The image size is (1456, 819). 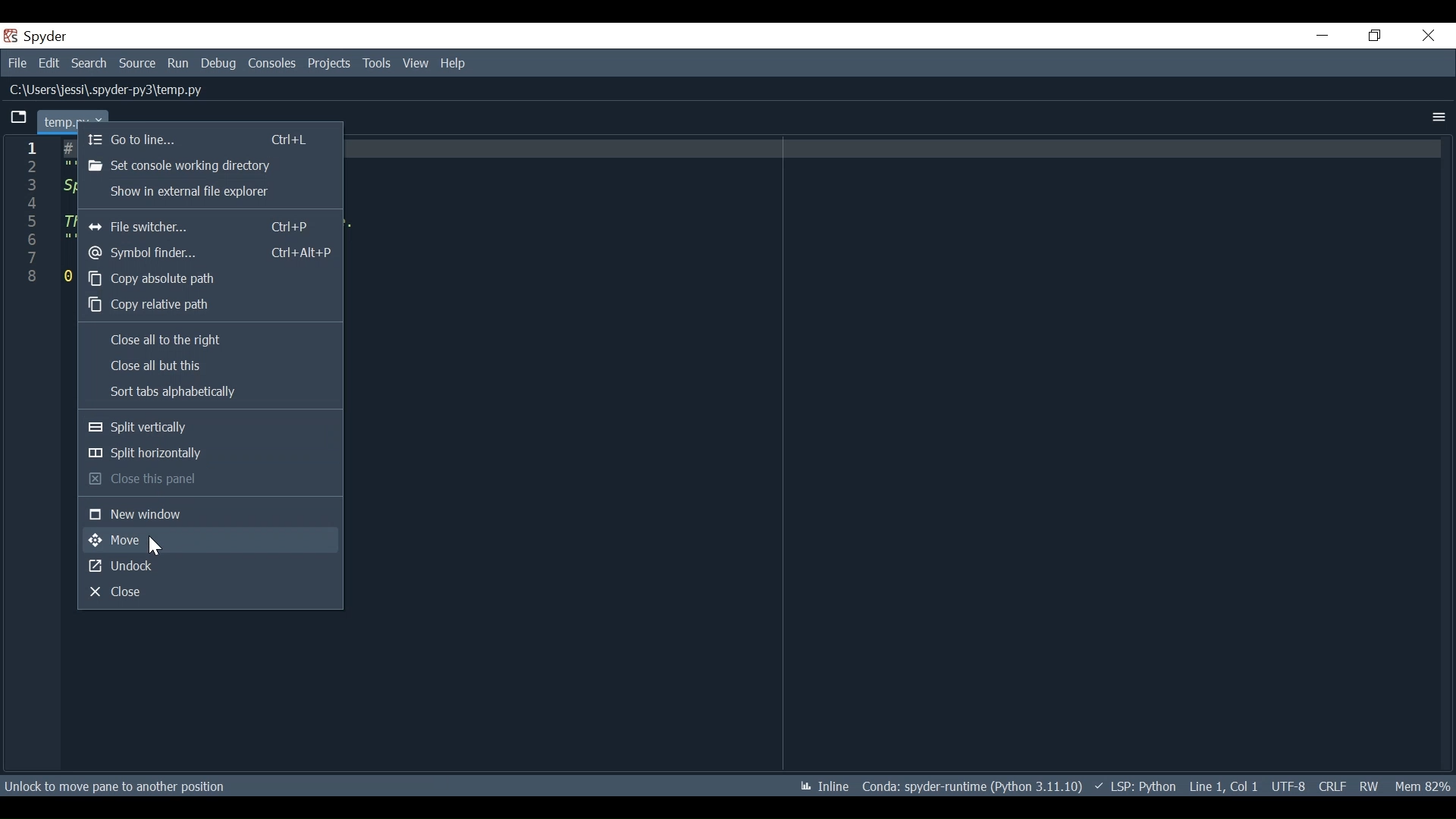 What do you see at coordinates (1423, 787) in the screenshot?
I see `Mem 82%` at bounding box center [1423, 787].